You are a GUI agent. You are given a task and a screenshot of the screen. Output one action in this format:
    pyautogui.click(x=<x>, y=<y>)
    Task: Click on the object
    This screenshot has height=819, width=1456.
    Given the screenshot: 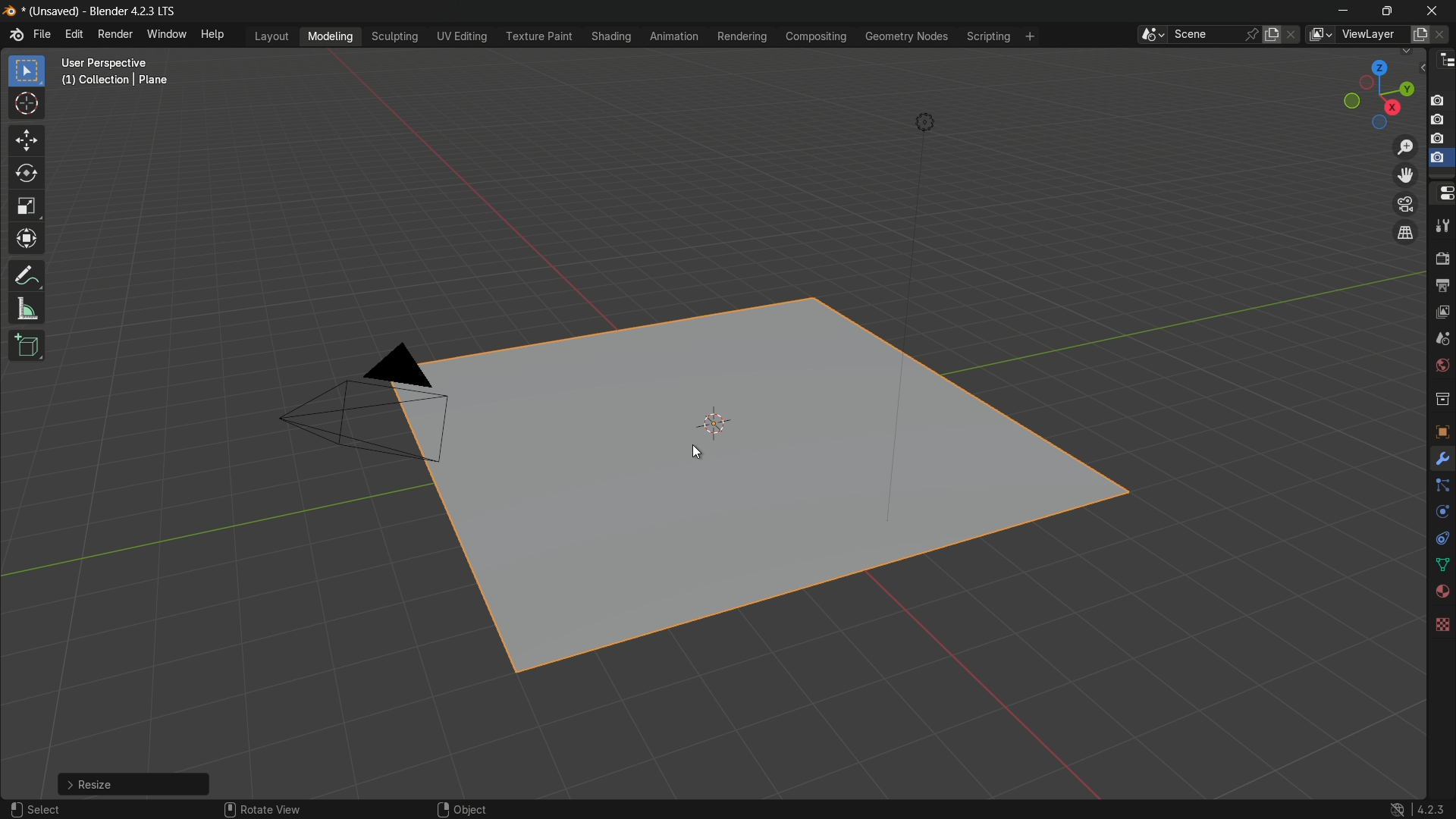 What is the action you would take?
    pyautogui.click(x=469, y=804)
    